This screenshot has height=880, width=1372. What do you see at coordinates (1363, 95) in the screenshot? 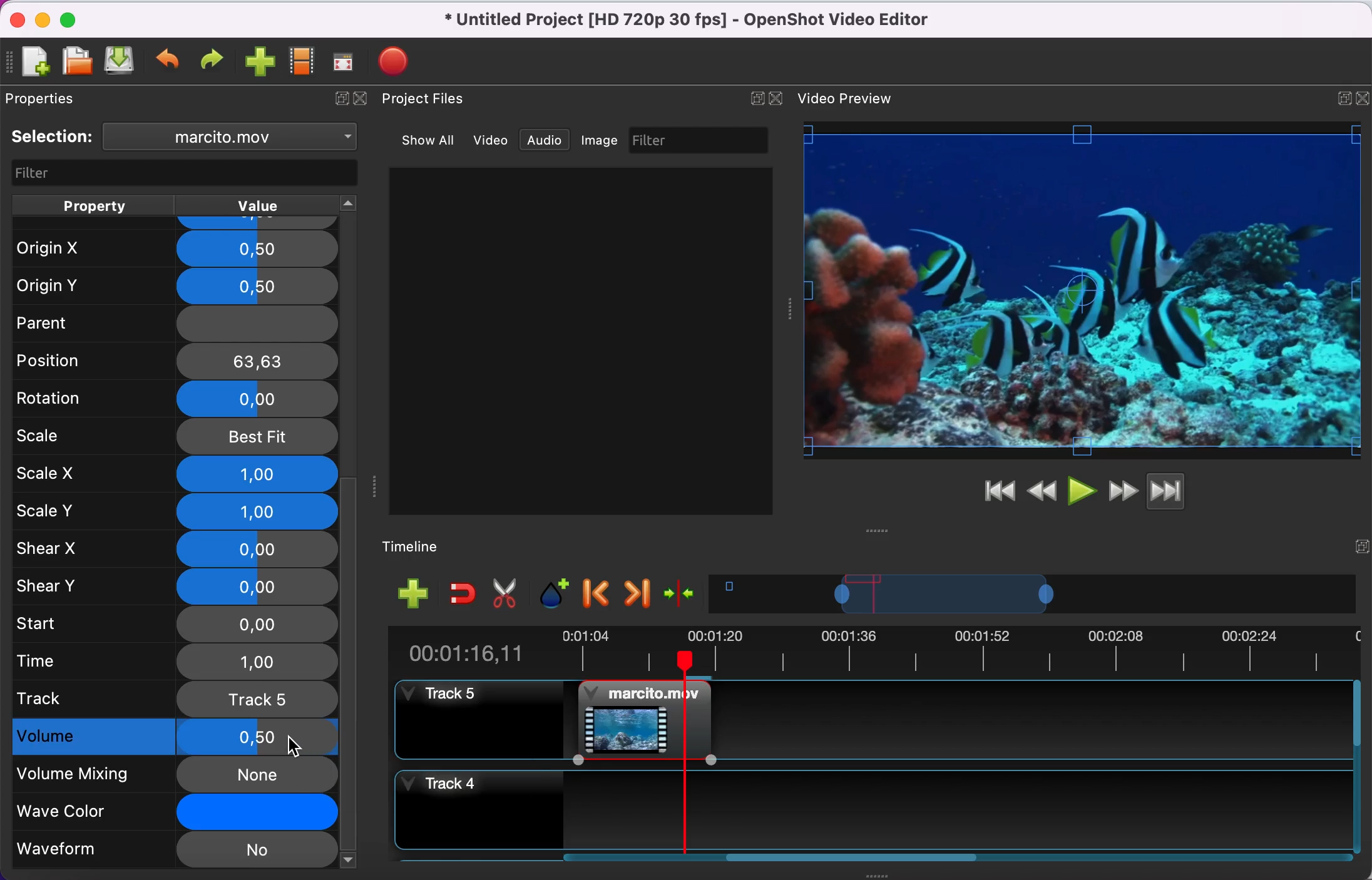
I see `expand/hide` at bounding box center [1363, 95].